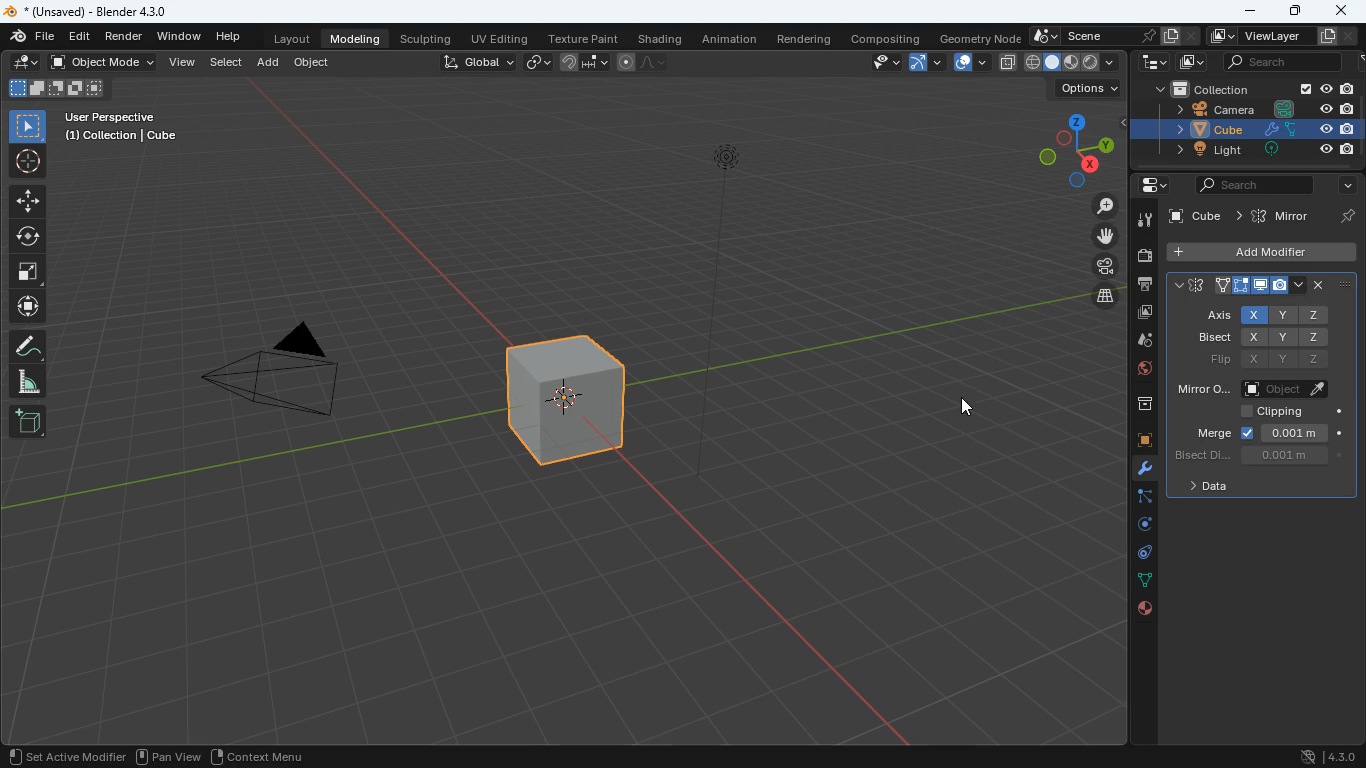 The image size is (1366, 768). What do you see at coordinates (1322, 149) in the screenshot?
I see `` at bounding box center [1322, 149].